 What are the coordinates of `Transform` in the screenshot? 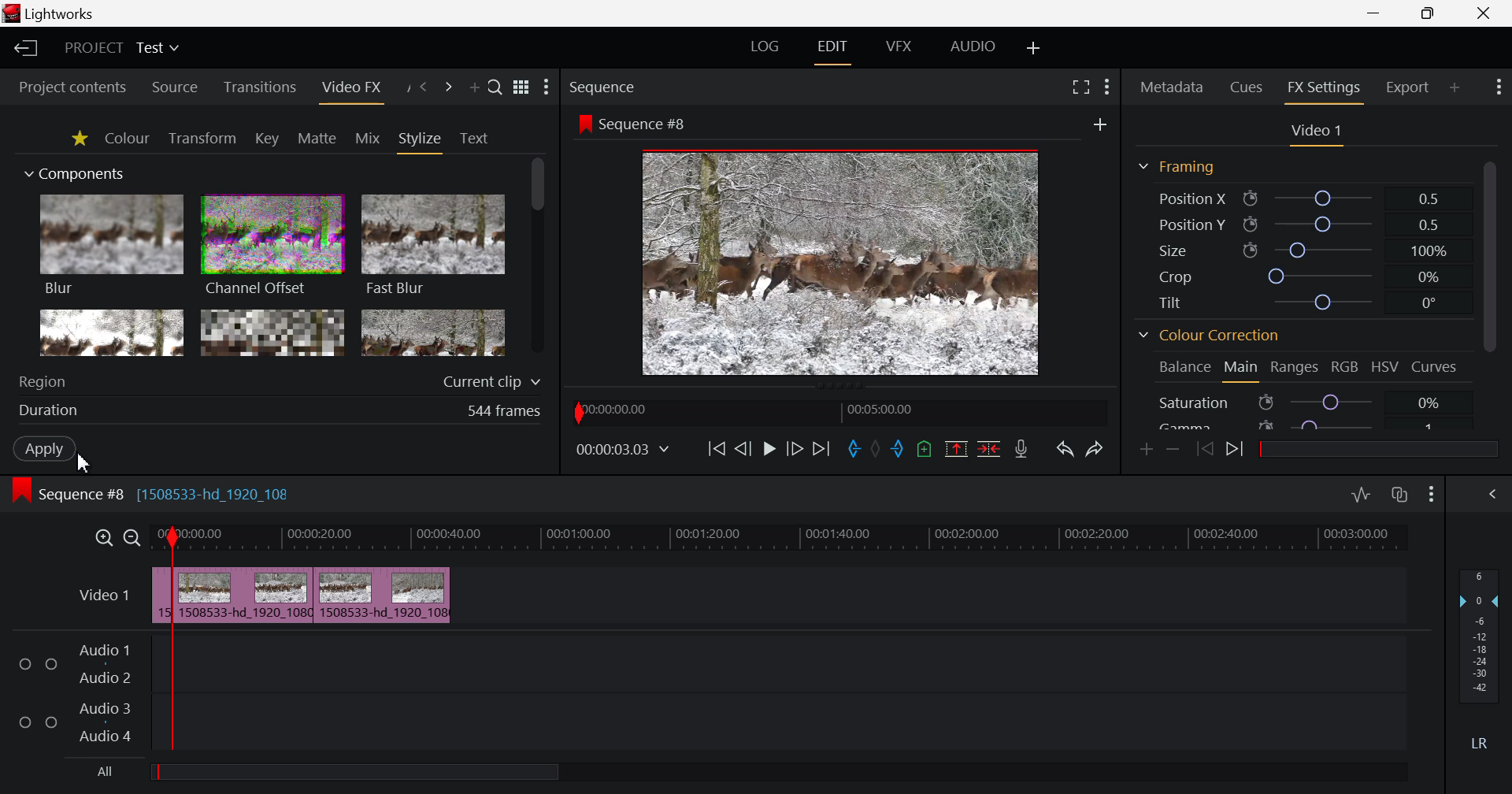 It's located at (202, 138).